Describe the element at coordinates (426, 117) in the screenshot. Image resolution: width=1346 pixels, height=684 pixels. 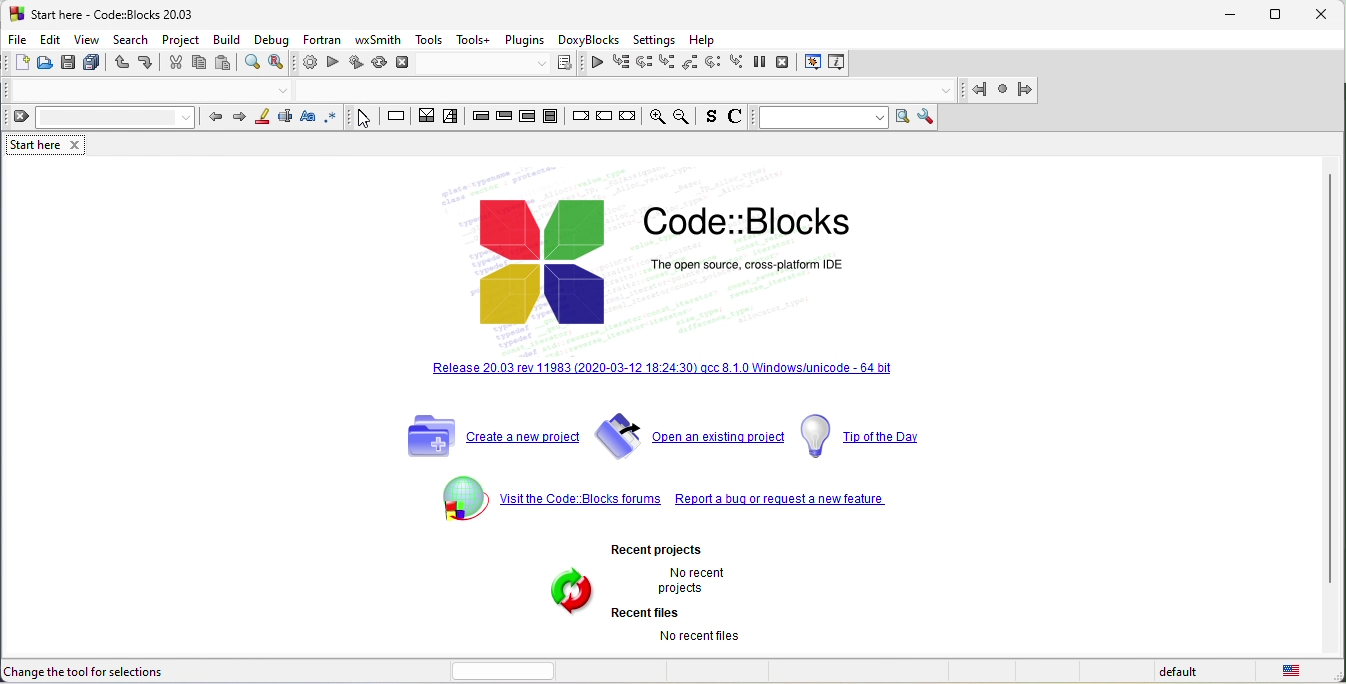
I see `decision` at that location.